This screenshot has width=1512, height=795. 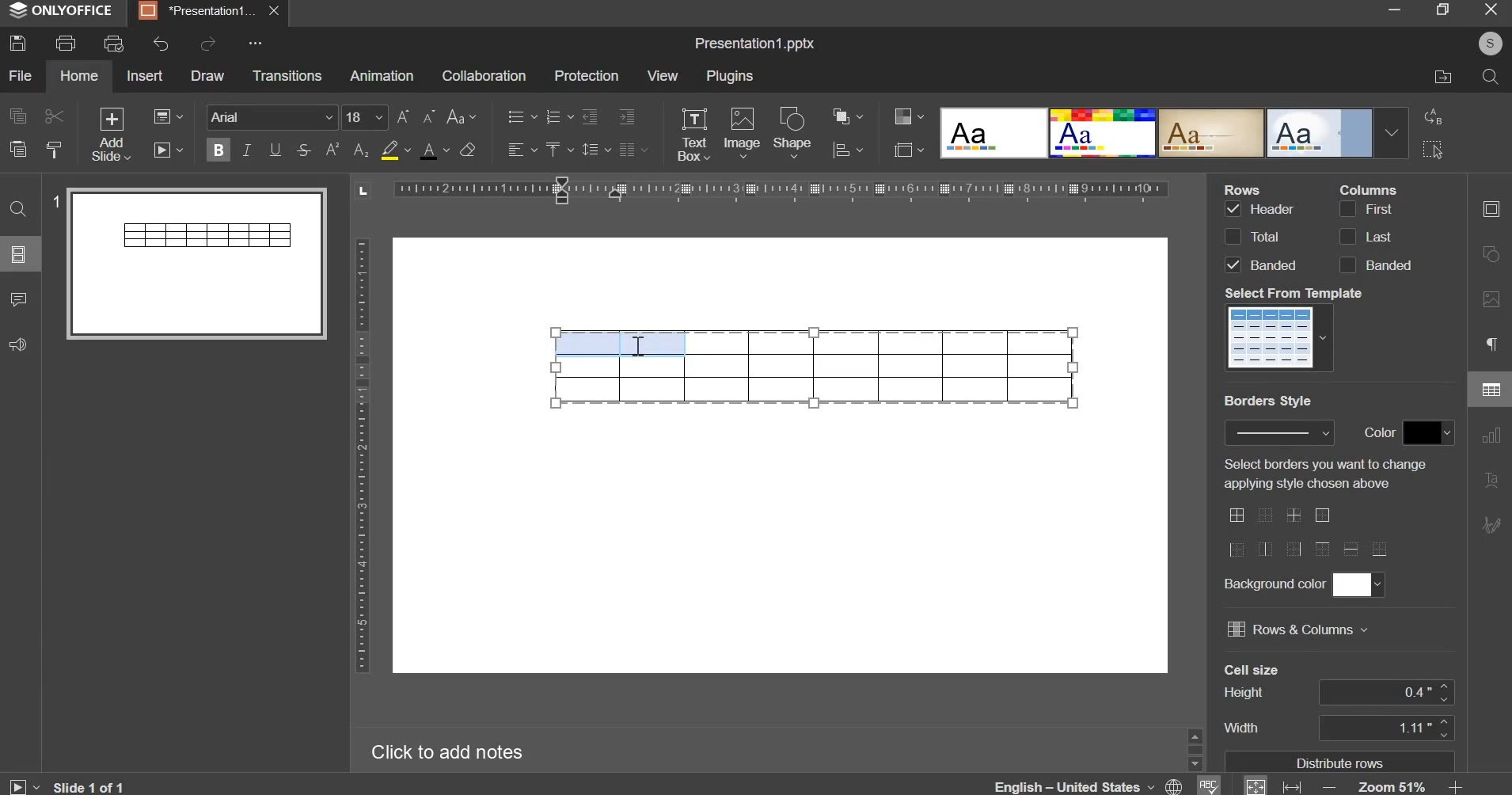 What do you see at coordinates (1273, 584) in the screenshot?
I see `Background color` at bounding box center [1273, 584].